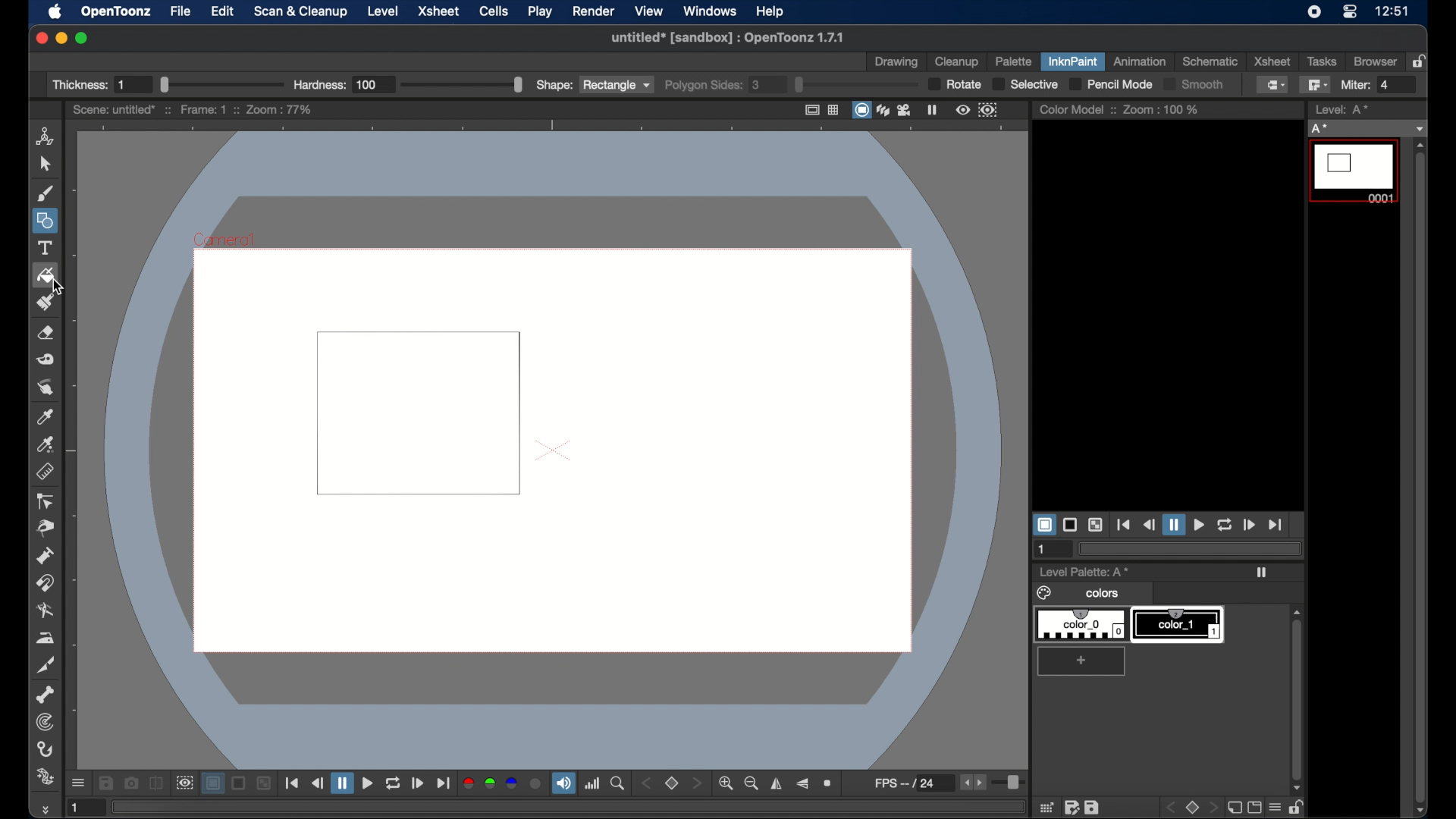 Image resolution: width=1456 pixels, height=819 pixels. What do you see at coordinates (1085, 571) in the screenshot?
I see `level palette: A*` at bounding box center [1085, 571].